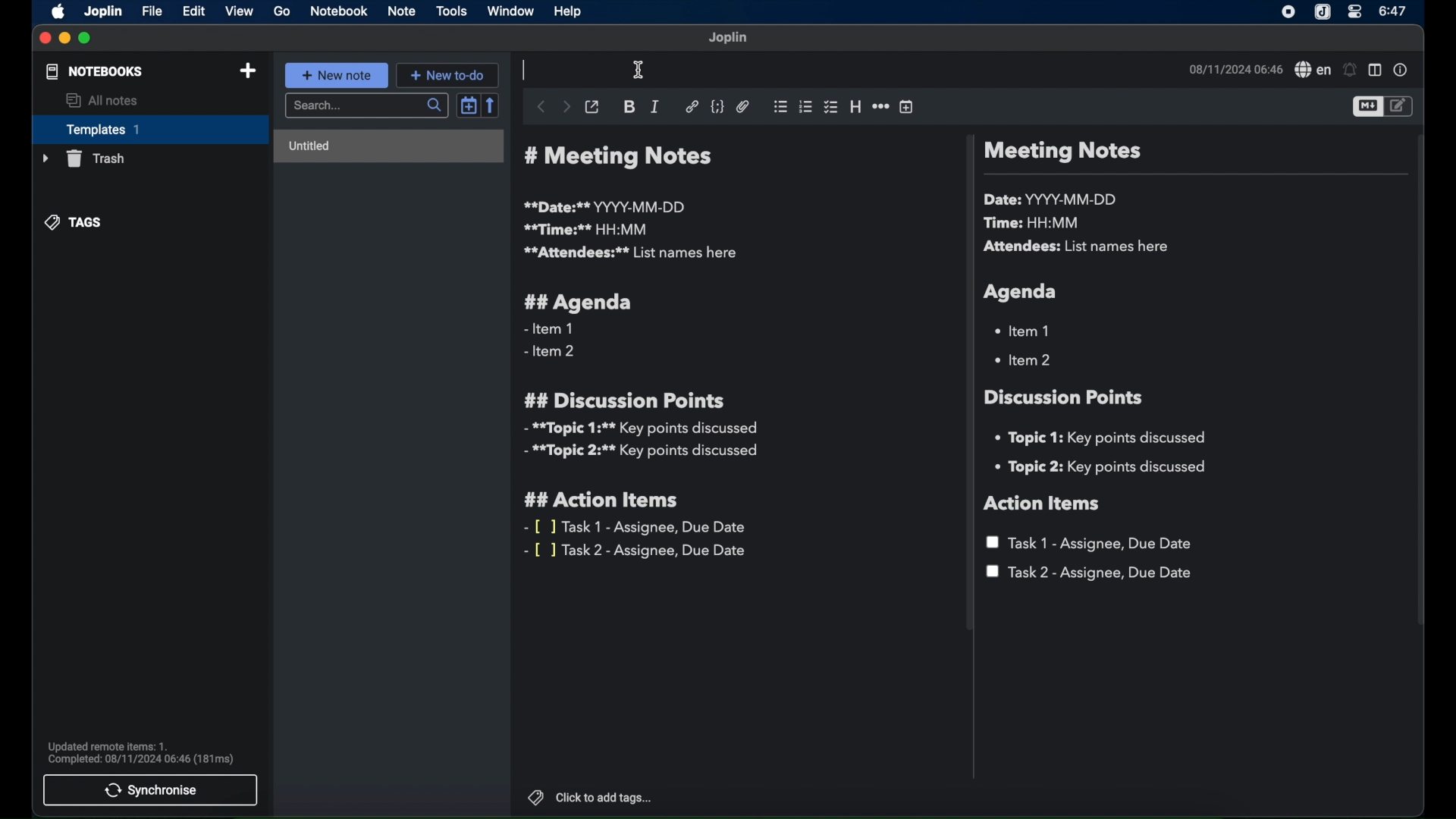 The height and width of the screenshot is (819, 1456). What do you see at coordinates (1322, 12) in the screenshot?
I see `Joplin` at bounding box center [1322, 12].